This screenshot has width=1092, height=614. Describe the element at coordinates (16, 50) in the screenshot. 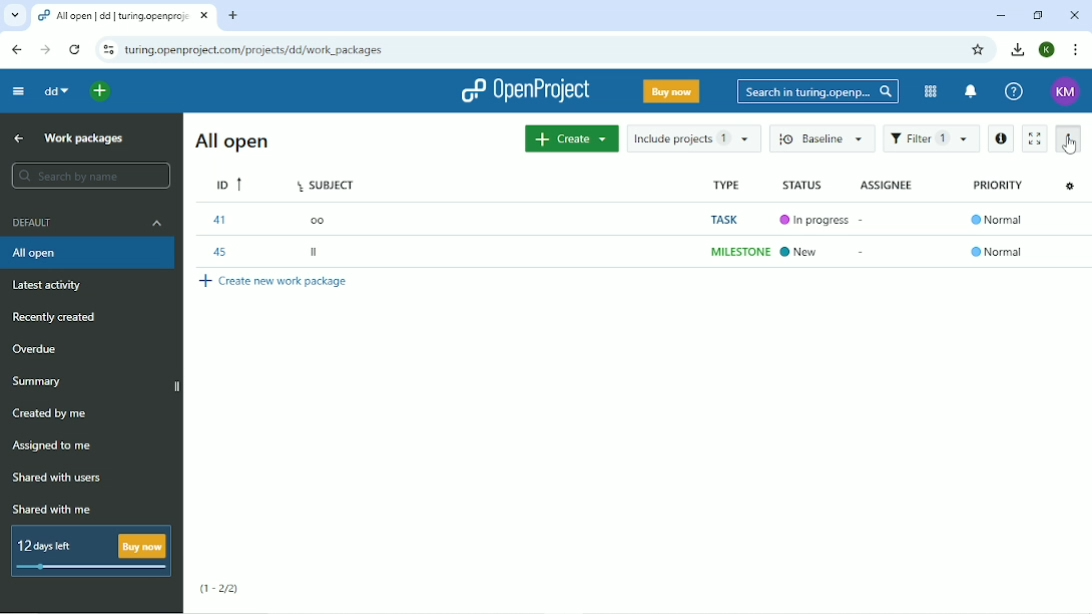

I see `Back` at that location.